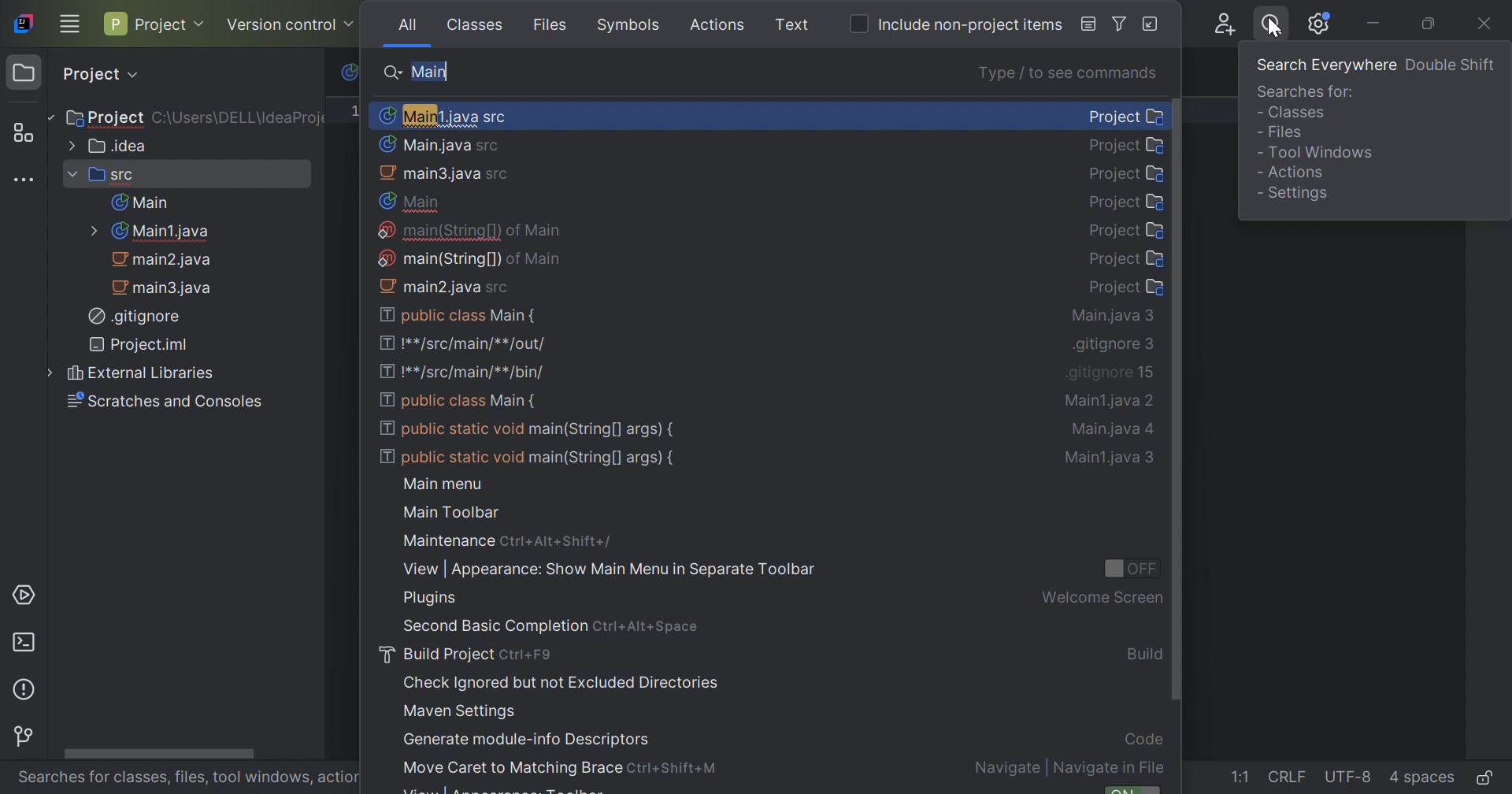 The image size is (1512, 794). Describe the element at coordinates (291, 22) in the screenshot. I see `Version Control` at that location.